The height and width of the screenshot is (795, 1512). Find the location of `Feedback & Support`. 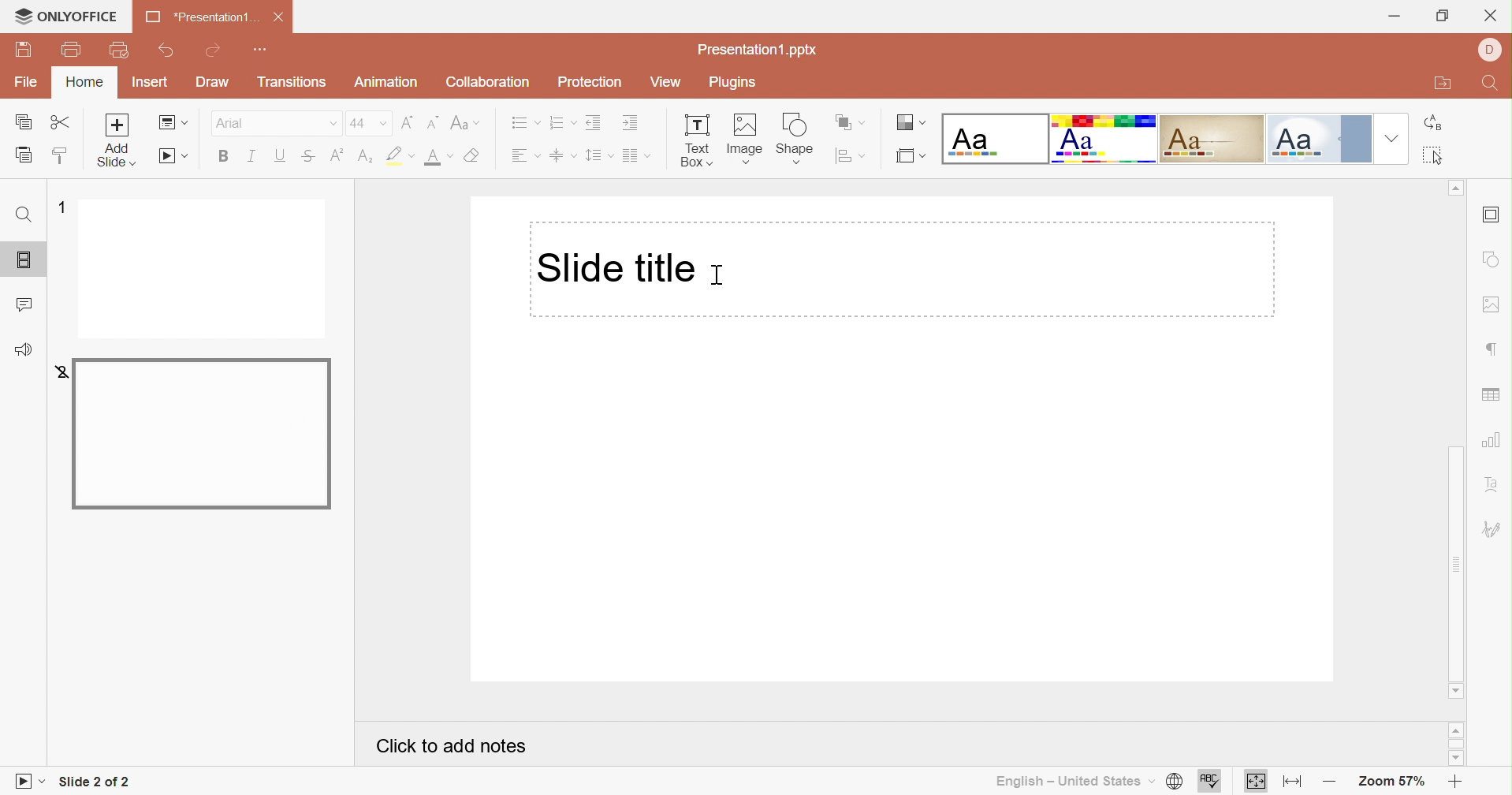

Feedback & Support is located at coordinates (23, 352).